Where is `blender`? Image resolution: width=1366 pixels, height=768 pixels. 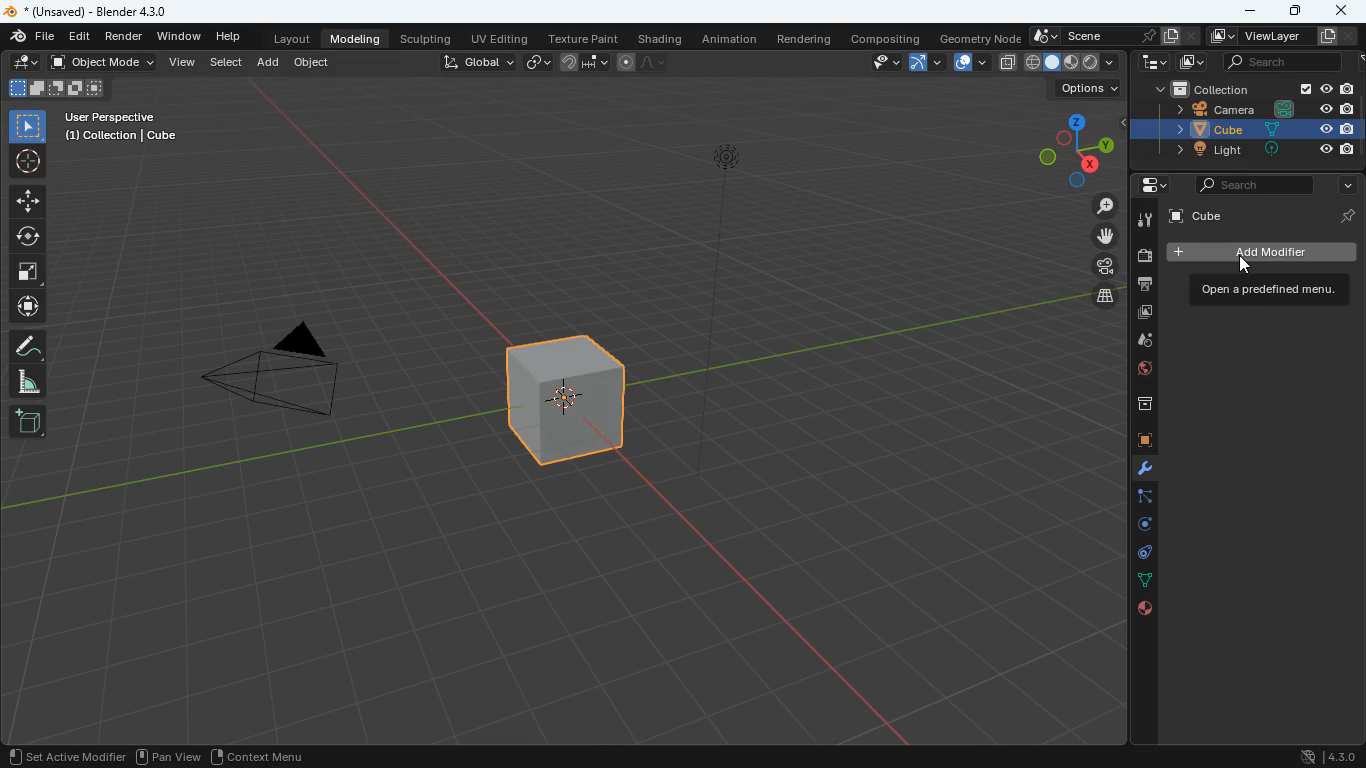 blender is located at coordinates (96, 10).